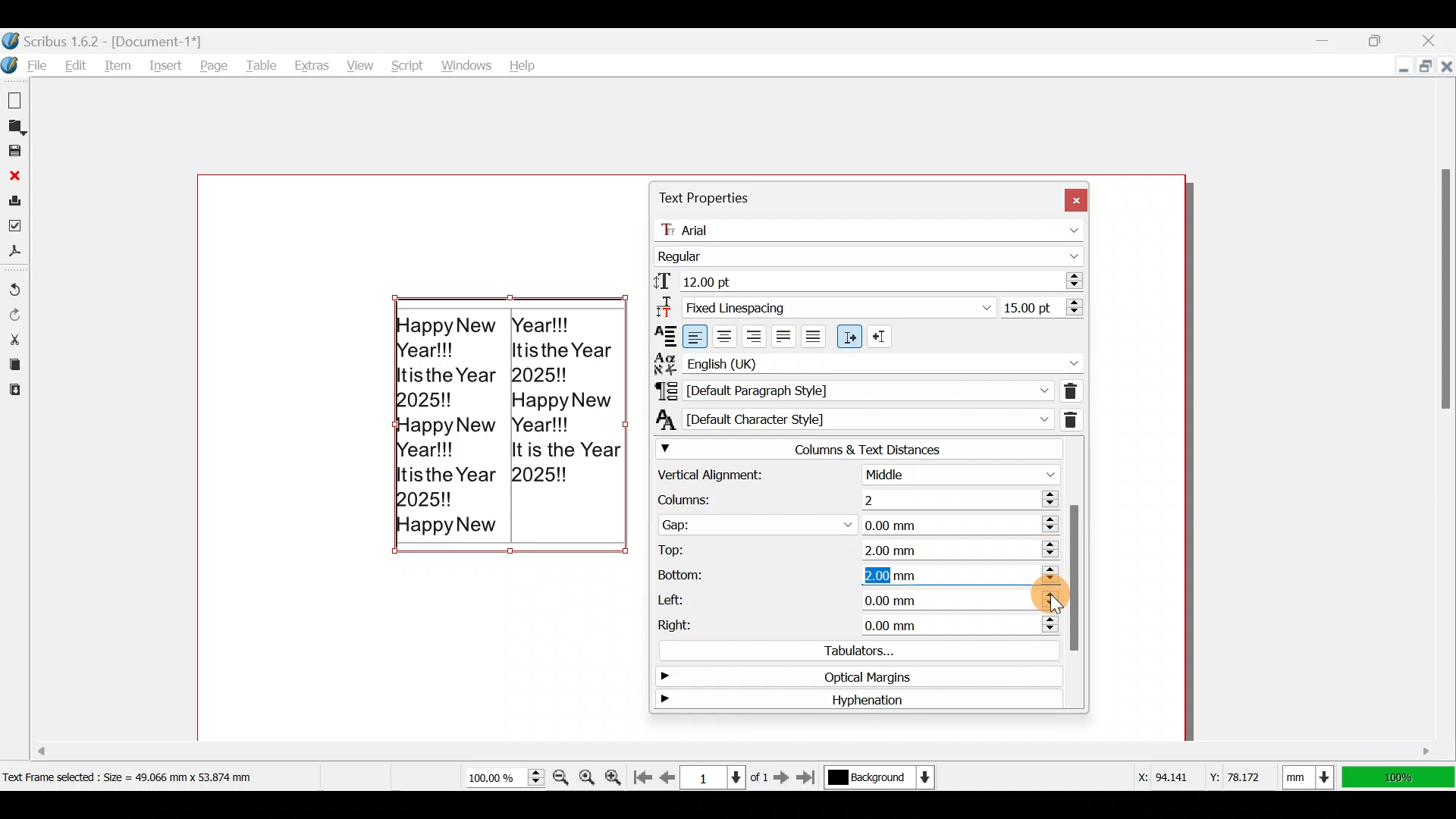 Image resolution: width=1456 pixels, height=819 pixels. I want to click on Undo, so click(15, 284).